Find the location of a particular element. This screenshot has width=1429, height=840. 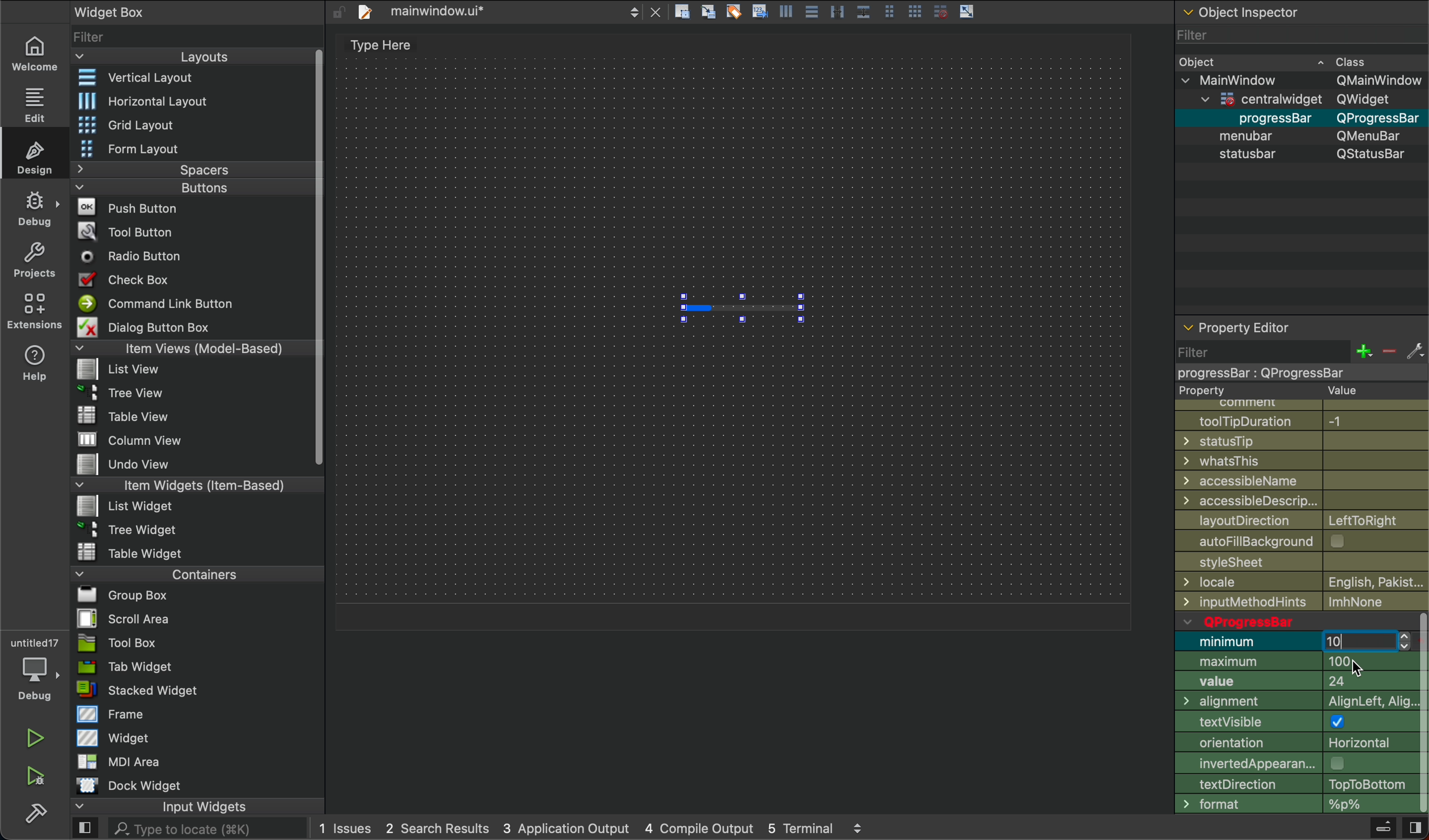

extension is located at coordinates (35, 310).